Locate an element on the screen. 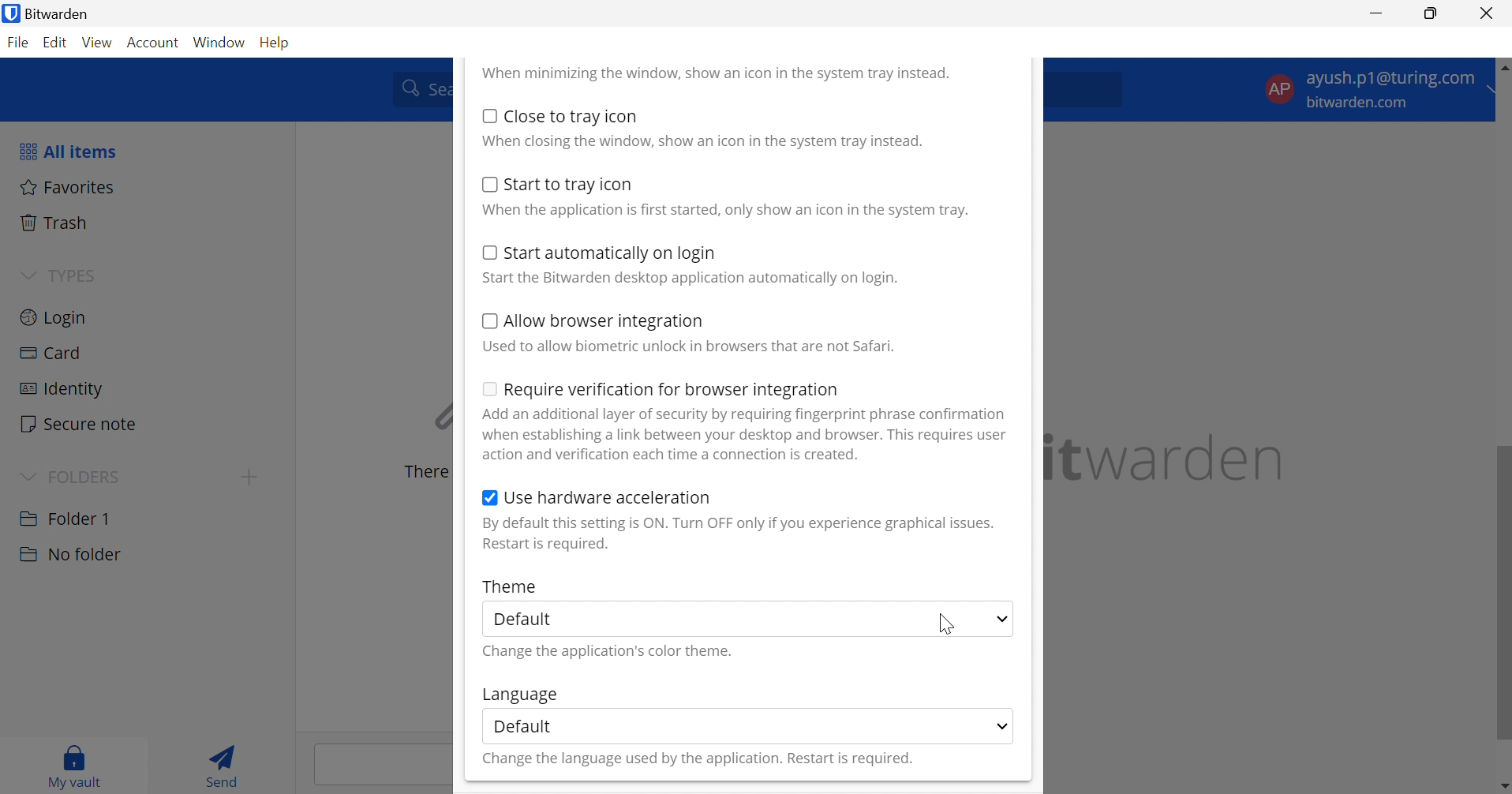 This screenshot has height=794, width=1512. Login is located at coordinates (54, 316).